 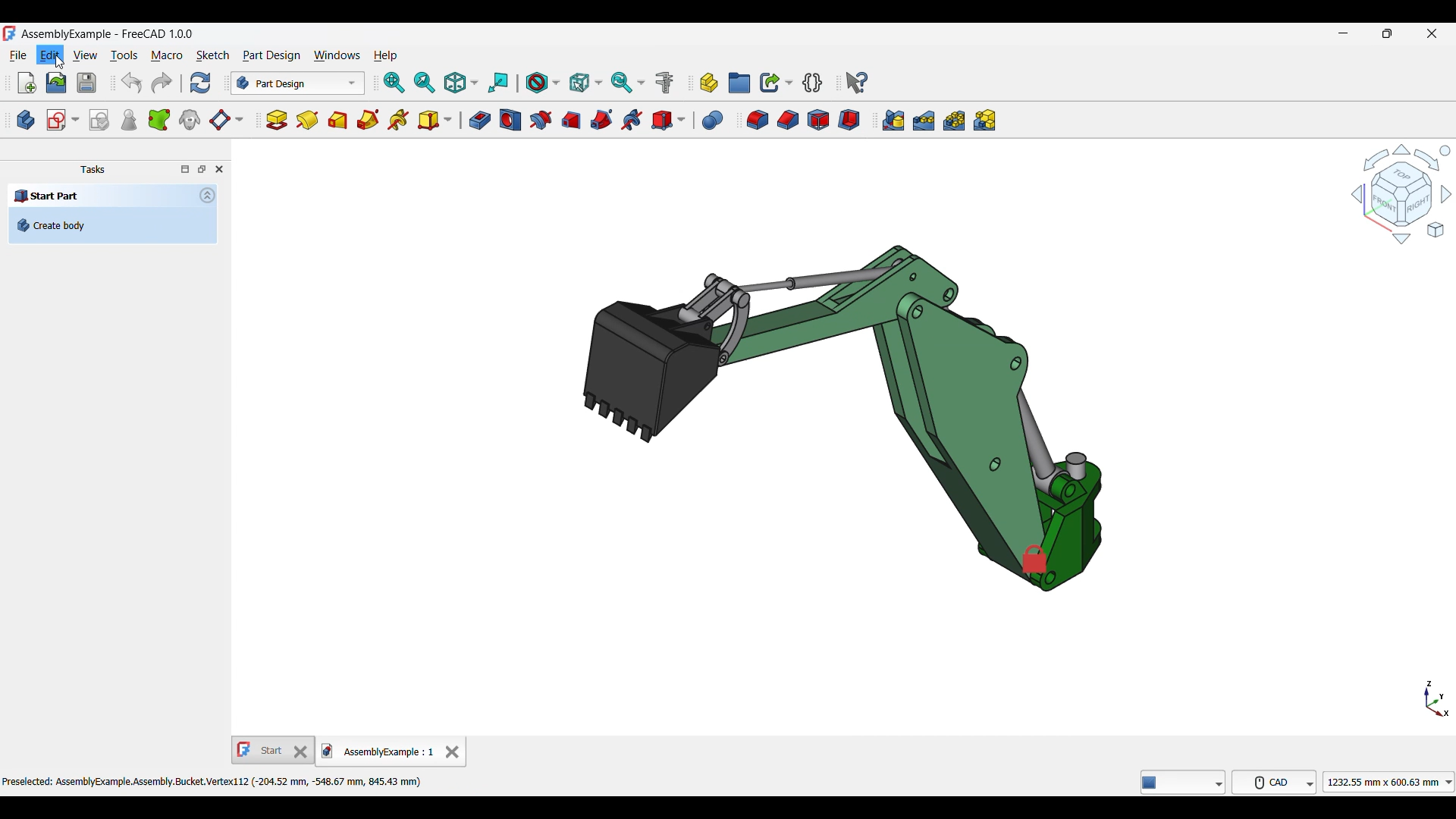 What do you see at coordinates (63, 120) in the screenshot?
I see `Create a sketch options` at bounding box center [63, 120].